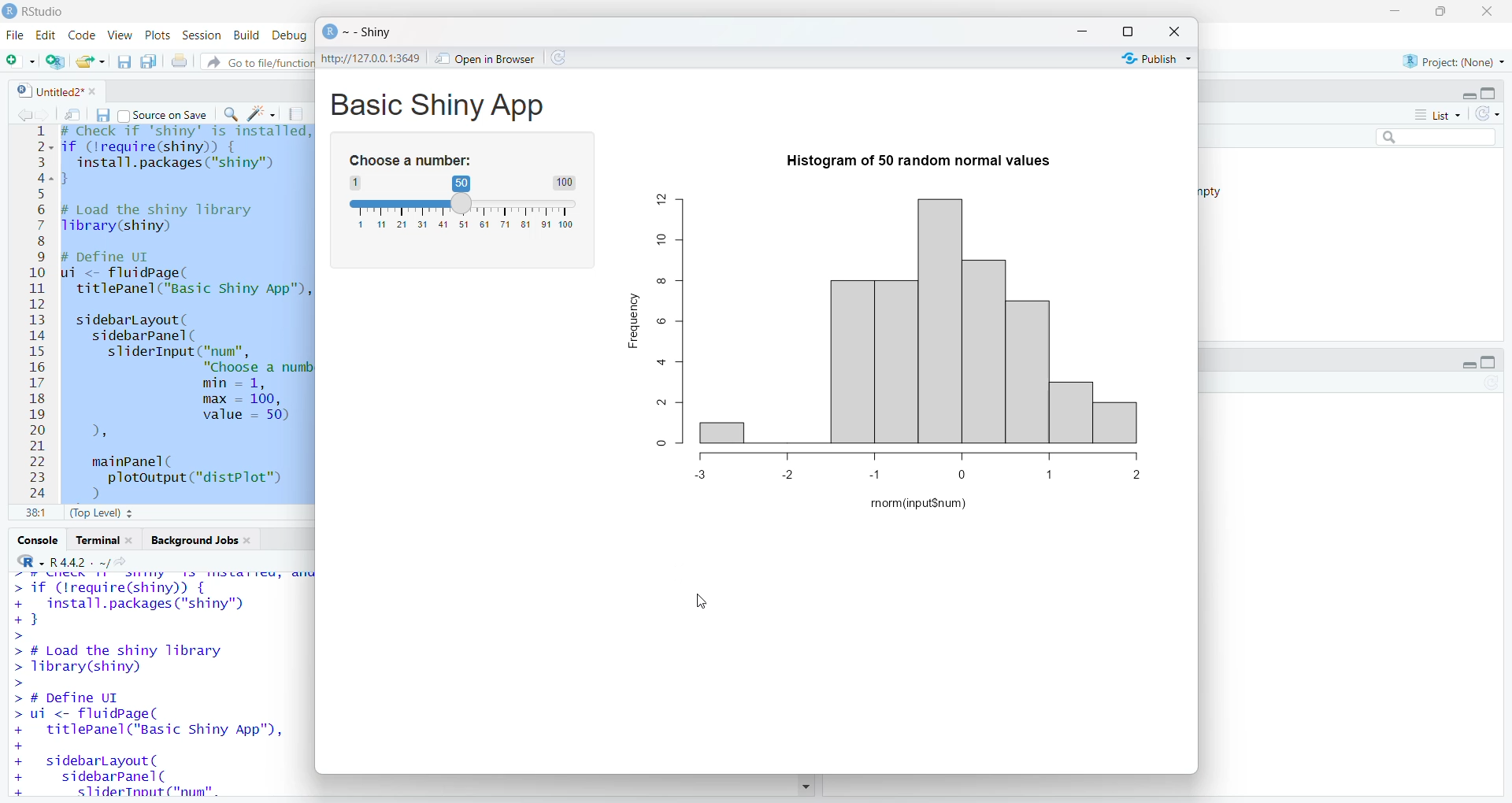  What do you see at coordinates (329, 31) in the screenshot?
I see `logo` at bounding box center [329, 31].